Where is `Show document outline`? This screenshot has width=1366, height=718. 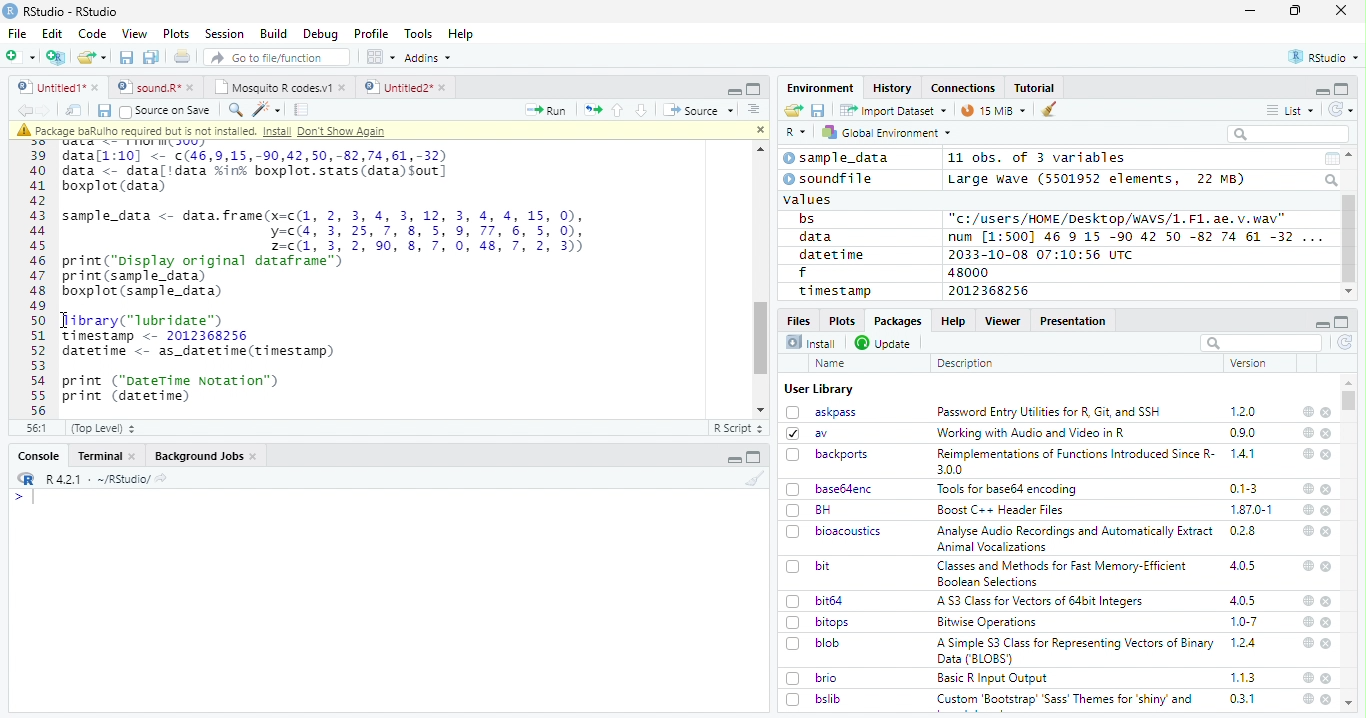 Show document outline is located at coordinates (752, 109).